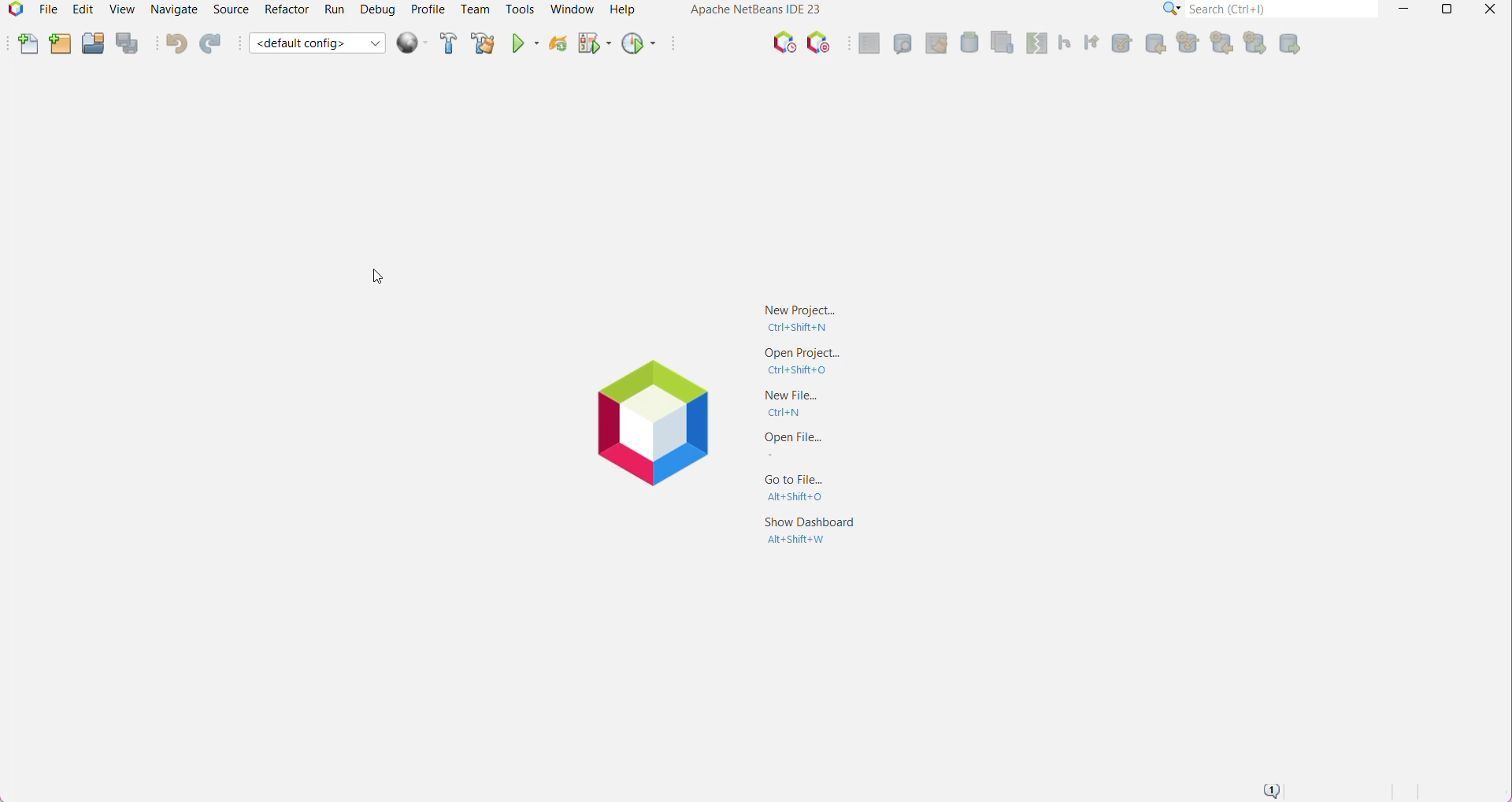 This screenshot has width=1512, height=802. What do you see at coordinates (378, 9) in the screenshot?
I see `Debug` at bounding box center [378, 9].